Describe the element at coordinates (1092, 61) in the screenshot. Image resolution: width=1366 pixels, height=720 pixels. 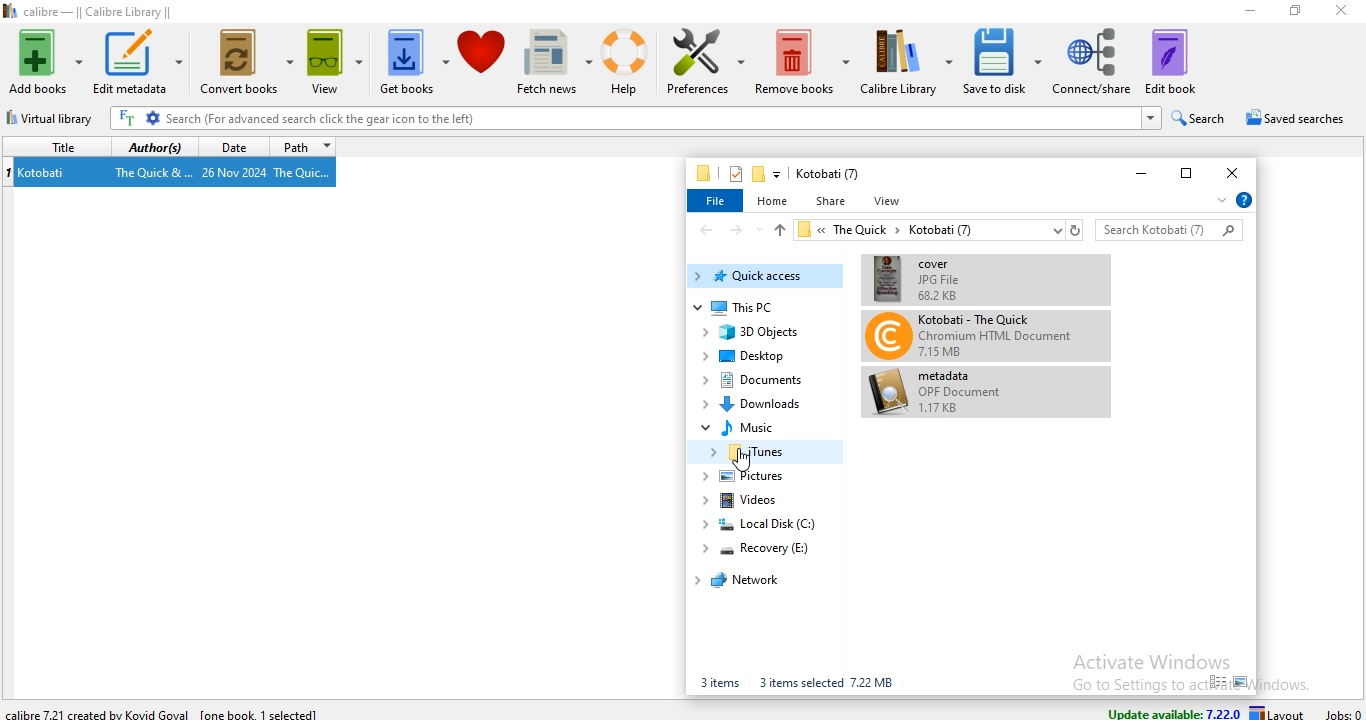
I see `connect/share` at that location.